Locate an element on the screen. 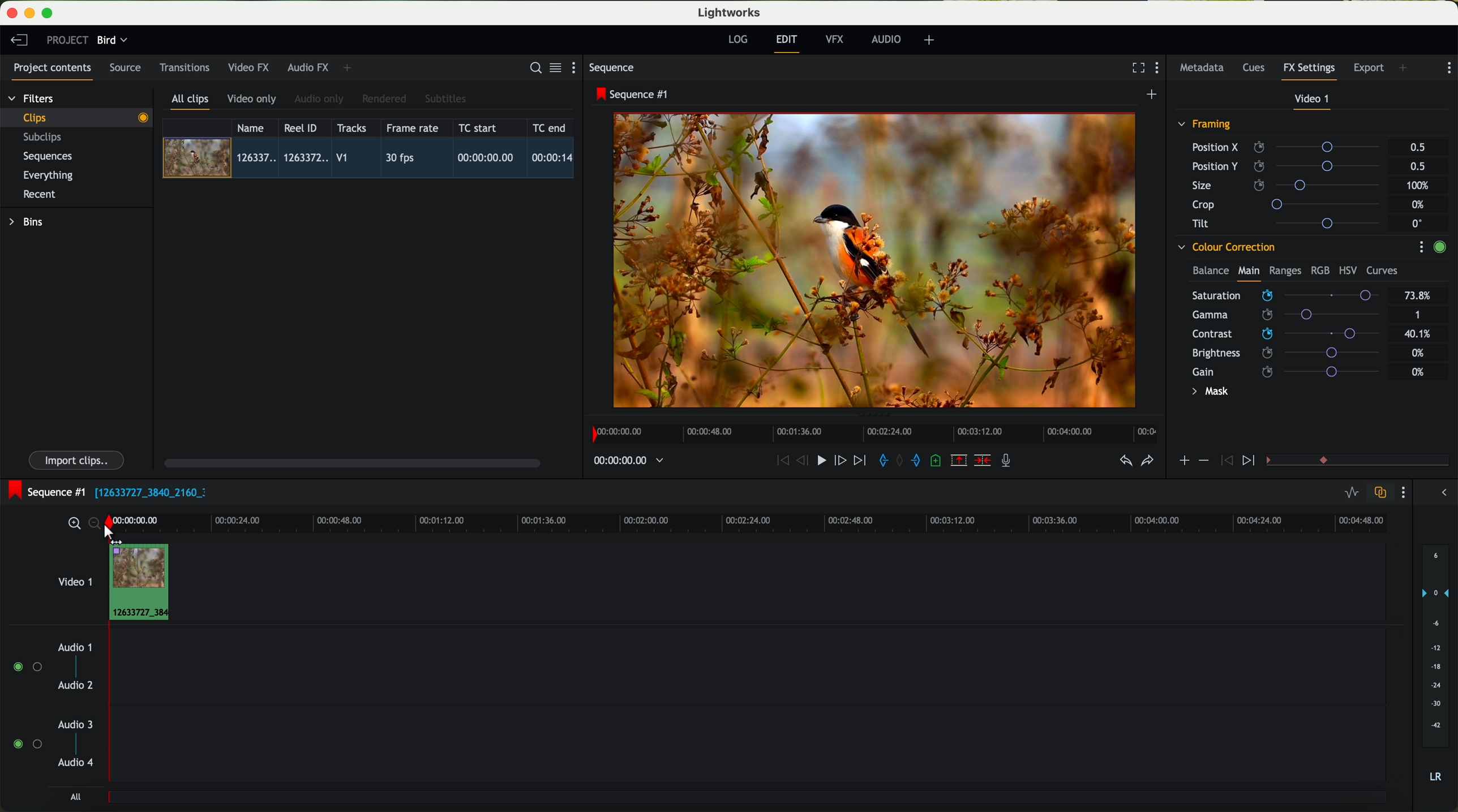  create a new sequence is located at coordinates (1153, 95).